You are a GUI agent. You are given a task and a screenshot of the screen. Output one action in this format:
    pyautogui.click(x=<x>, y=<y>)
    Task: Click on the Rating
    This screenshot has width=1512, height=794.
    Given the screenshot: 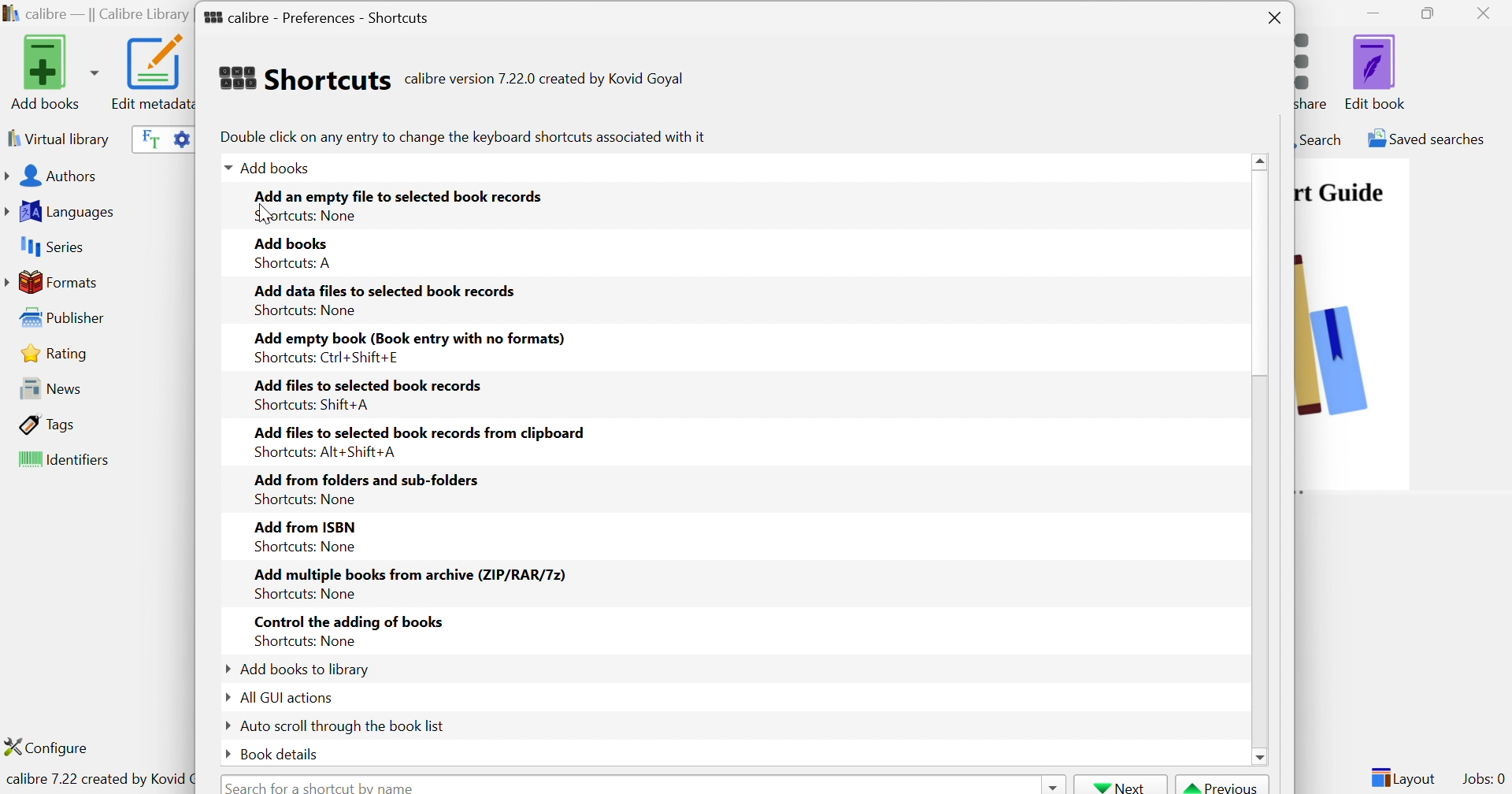 What is the action you would take?
    pyautogui.click(x=57, y=353)
    